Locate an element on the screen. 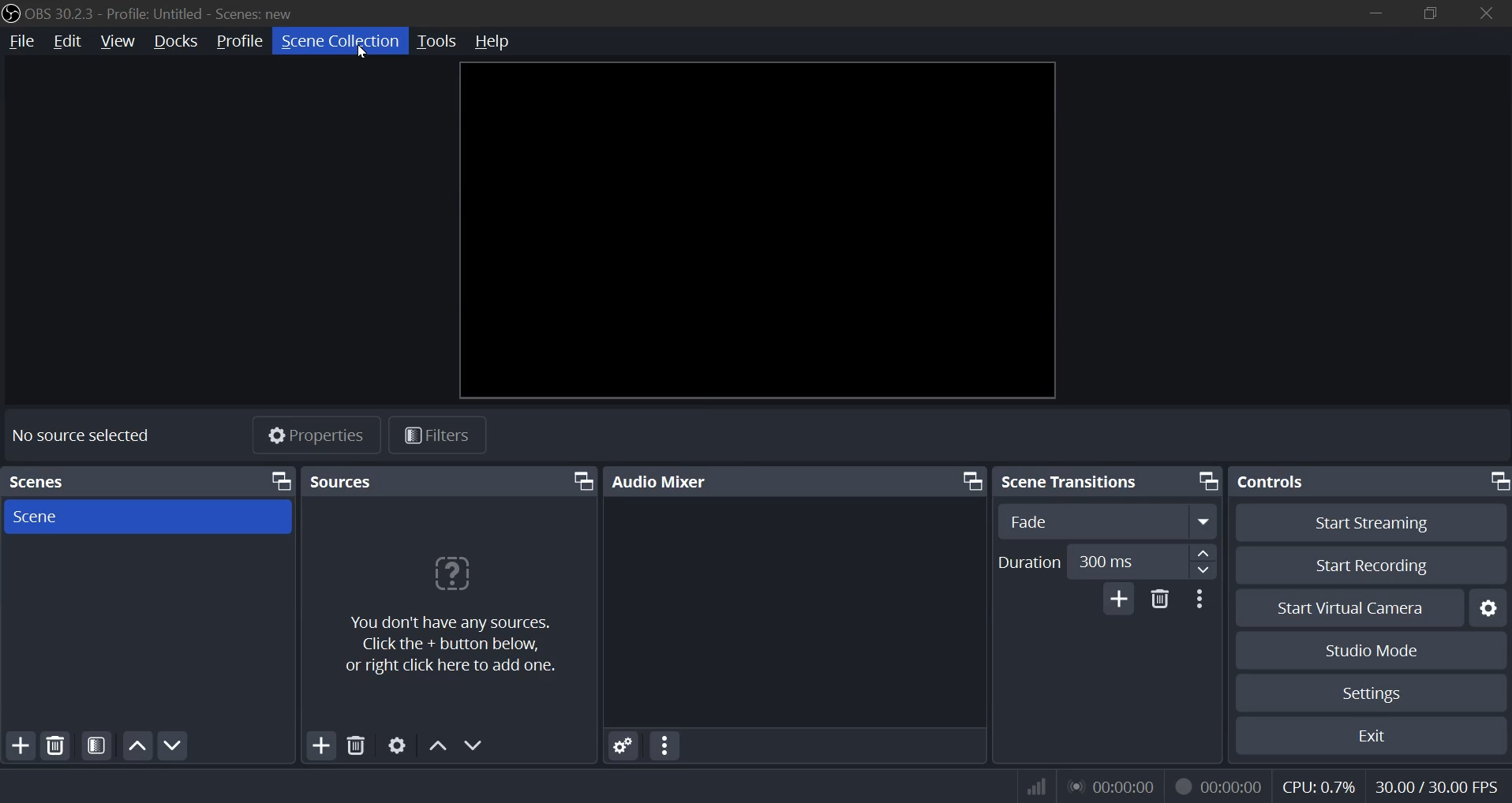  bring front is located at coordinates (281, 481).